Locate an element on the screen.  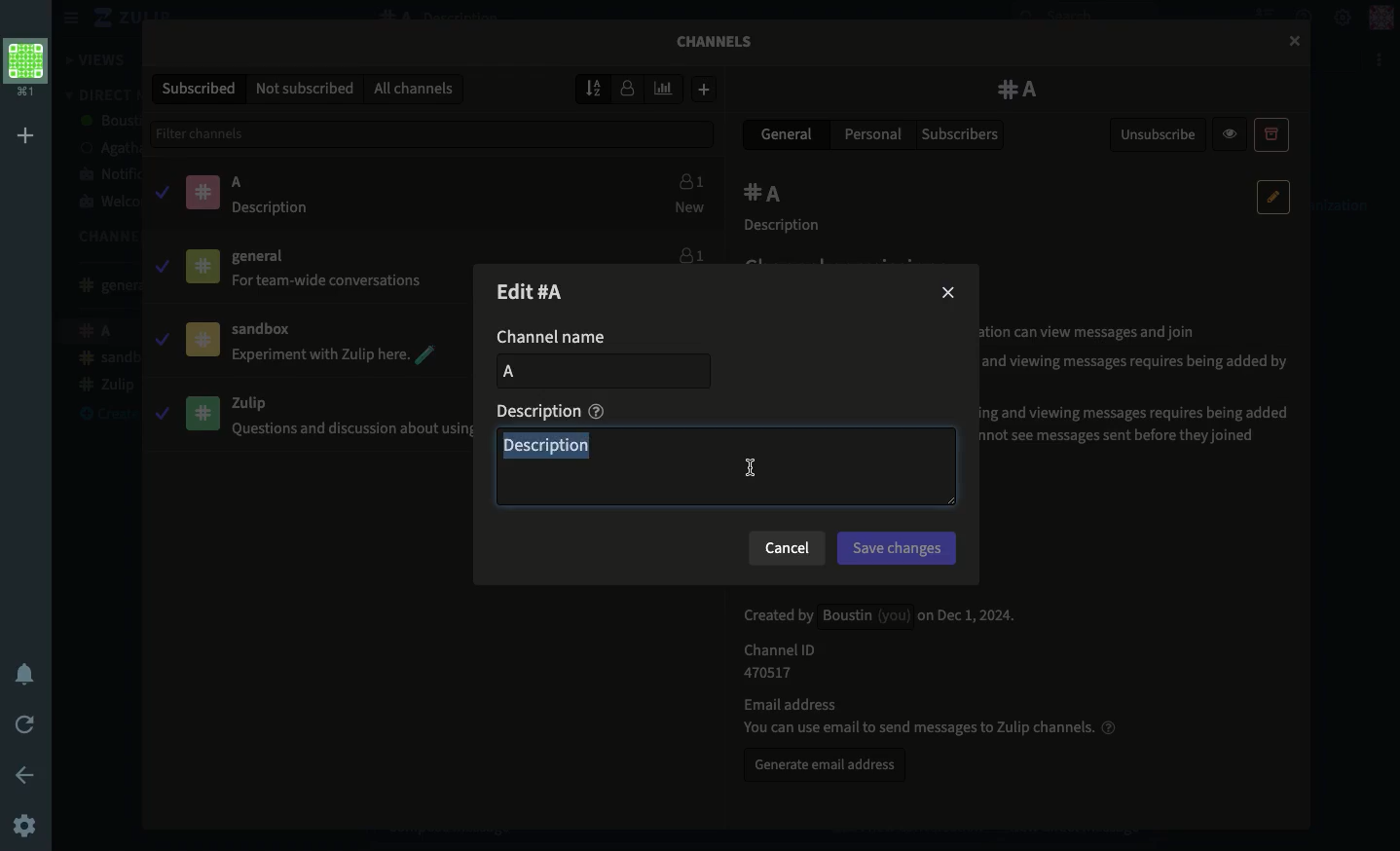
agatha is located at coordinates (106, 148).